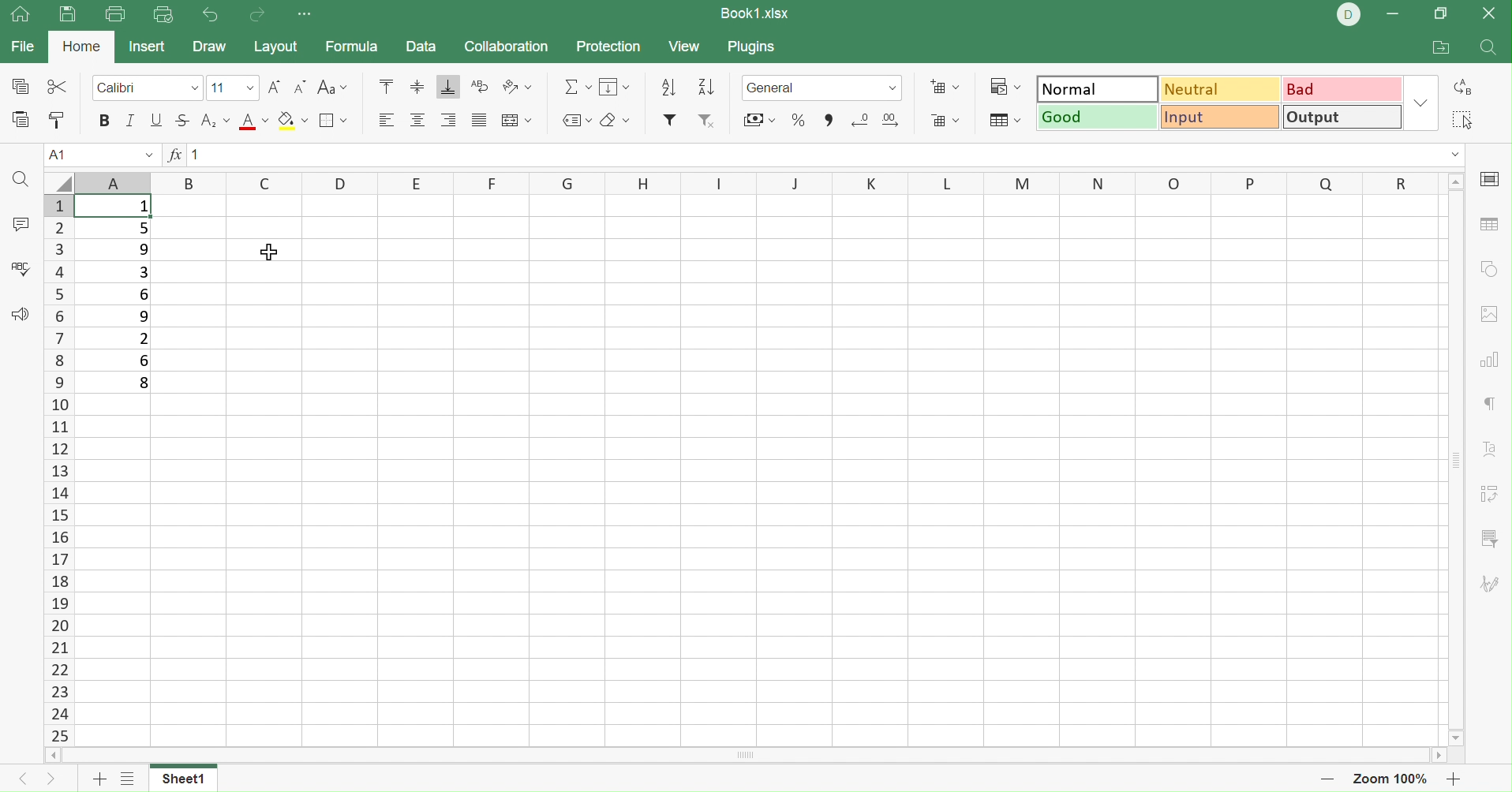 This screenshot has width=1512, height=792. What do you see at coordinates (1441, 49) in the screenshot?
I see `Open file location` at bounding box center [1441, 49].